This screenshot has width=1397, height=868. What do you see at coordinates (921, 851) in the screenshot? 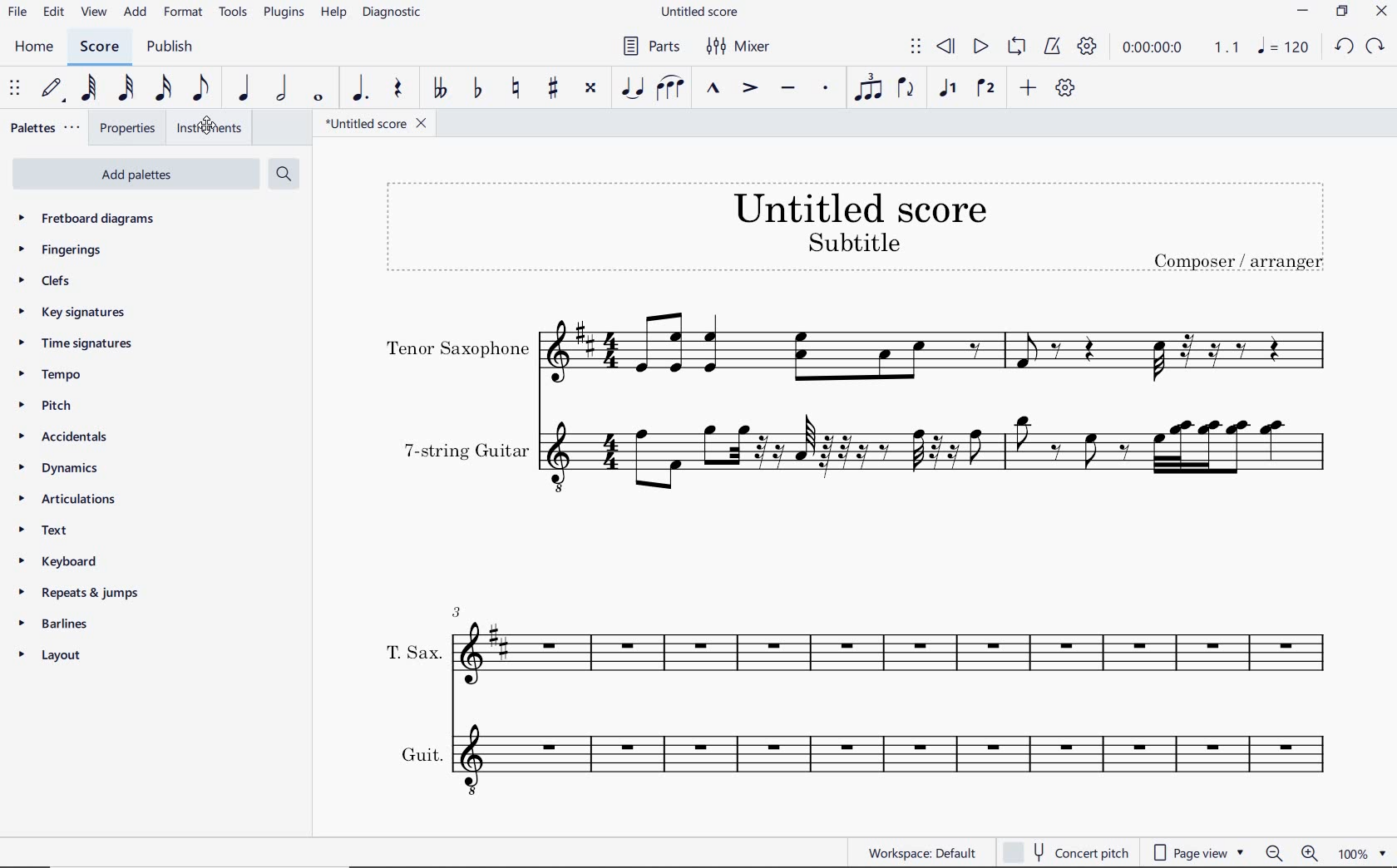
I see `WORKSPACE: DEFAULT` at bounding box center [921, 851].